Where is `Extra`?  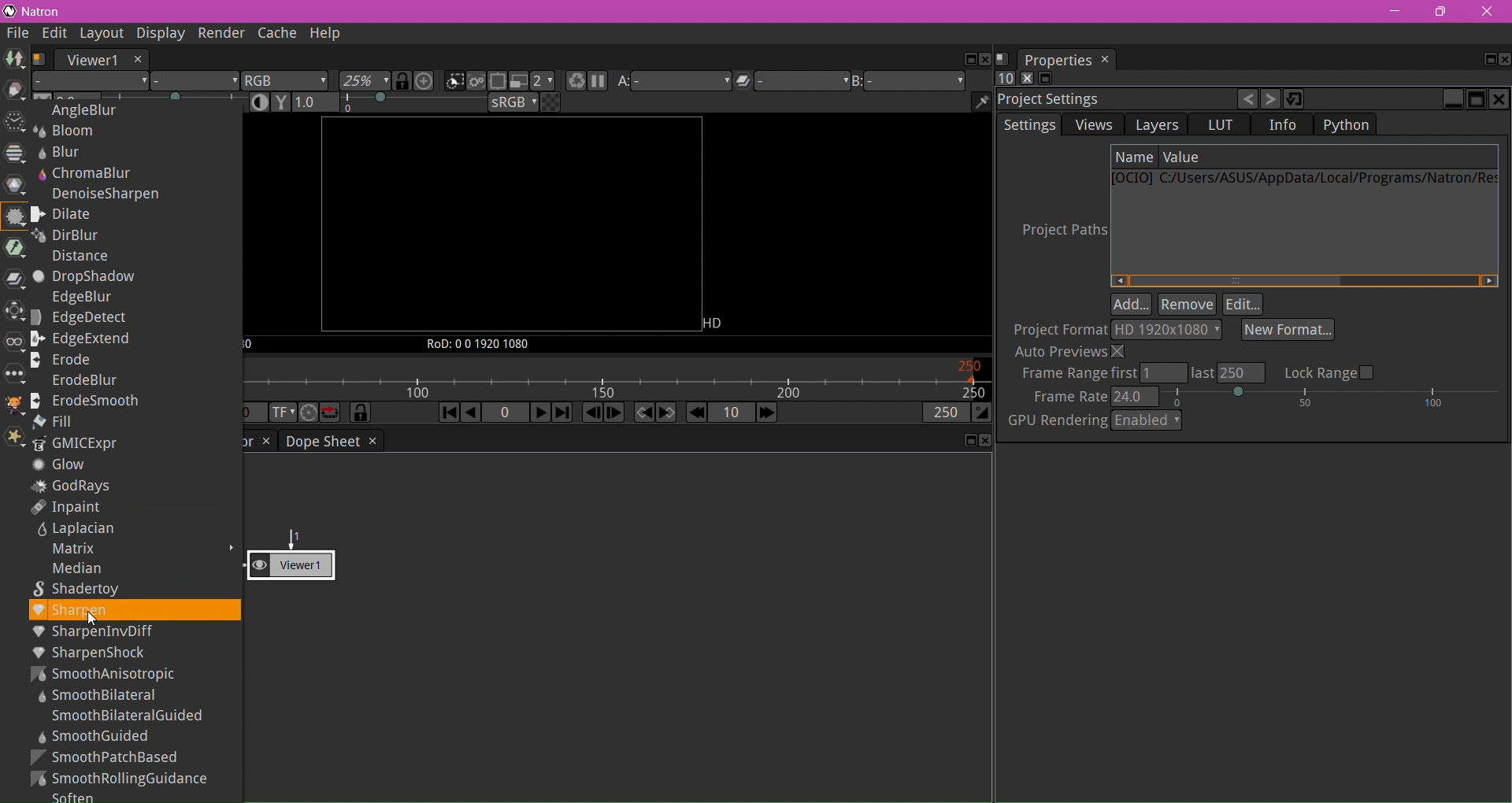 Extra is located at coordinates (13, 439).